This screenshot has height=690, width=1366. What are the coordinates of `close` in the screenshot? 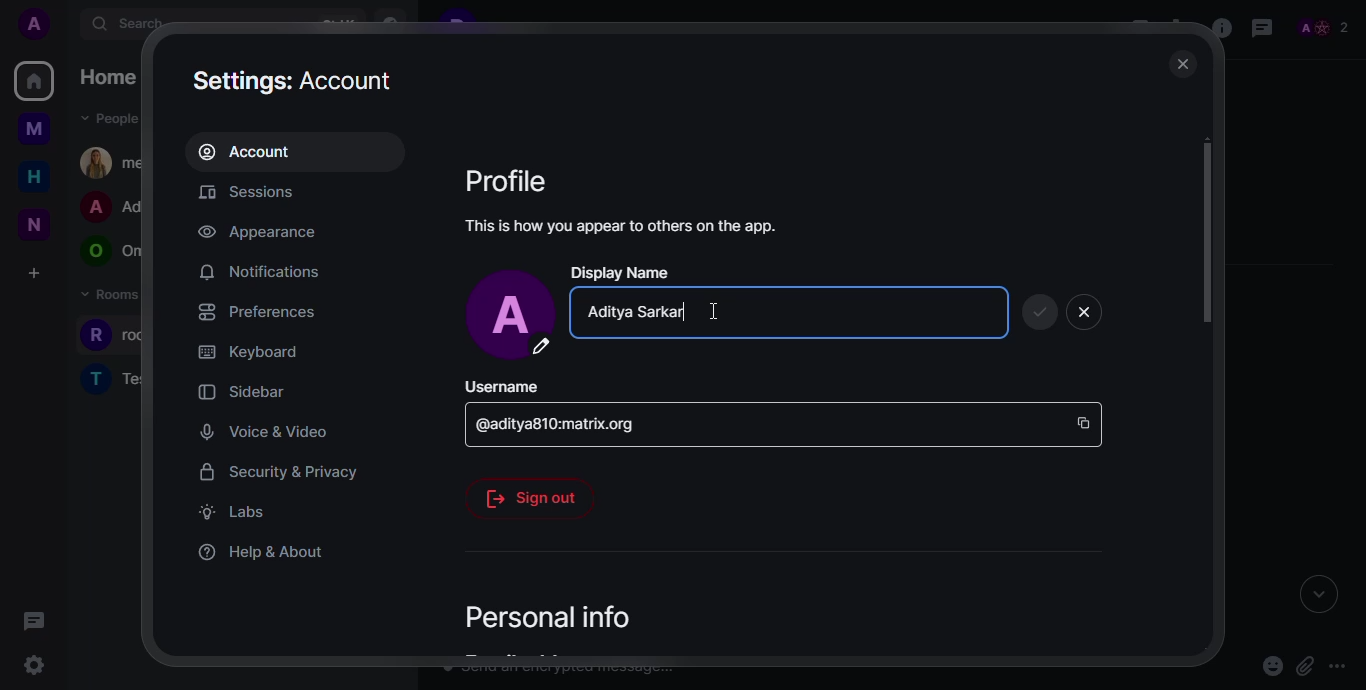 It's located at (1181, 64).